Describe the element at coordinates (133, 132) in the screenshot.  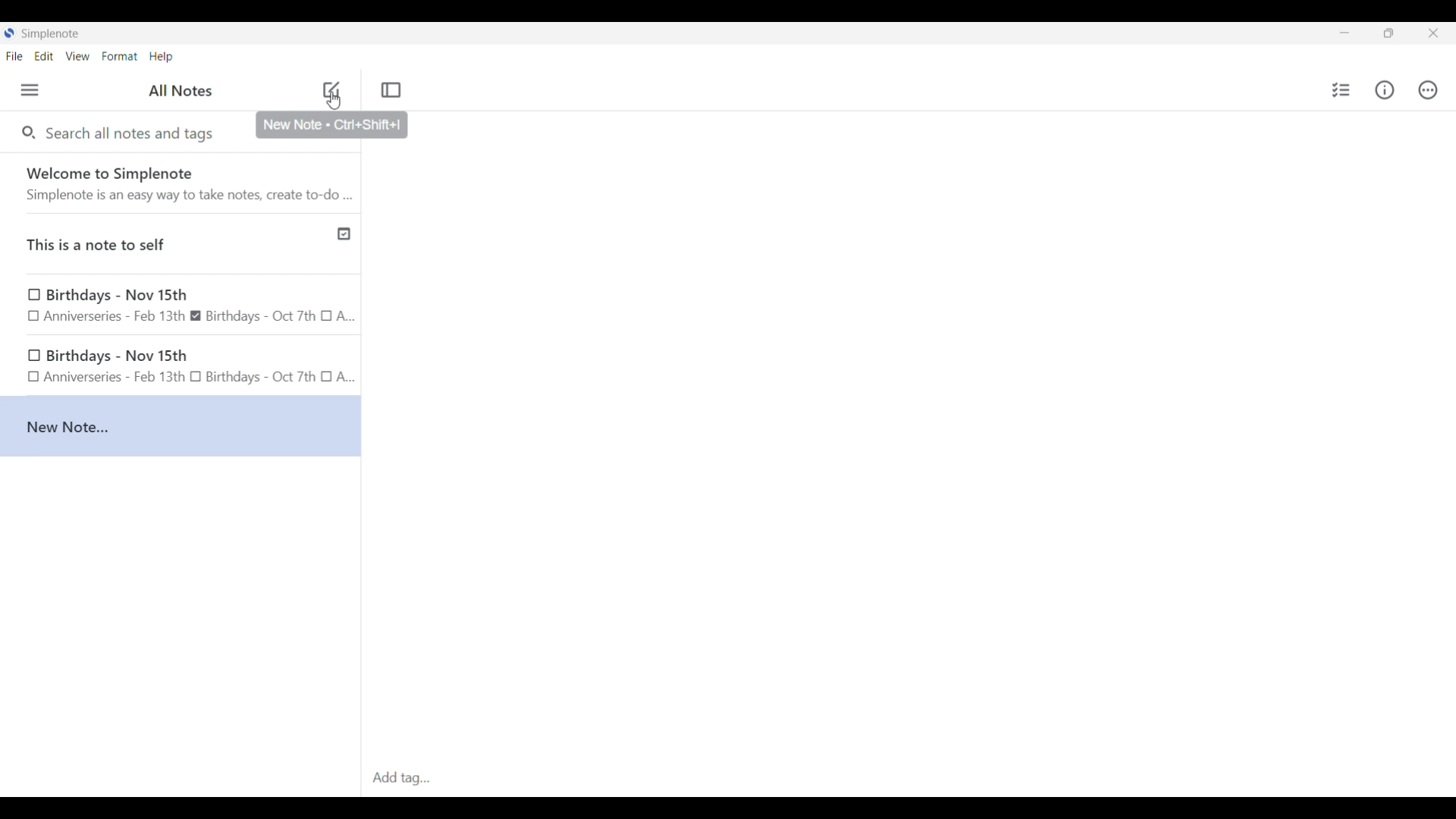
I see `Search all notes and tags` at that location.